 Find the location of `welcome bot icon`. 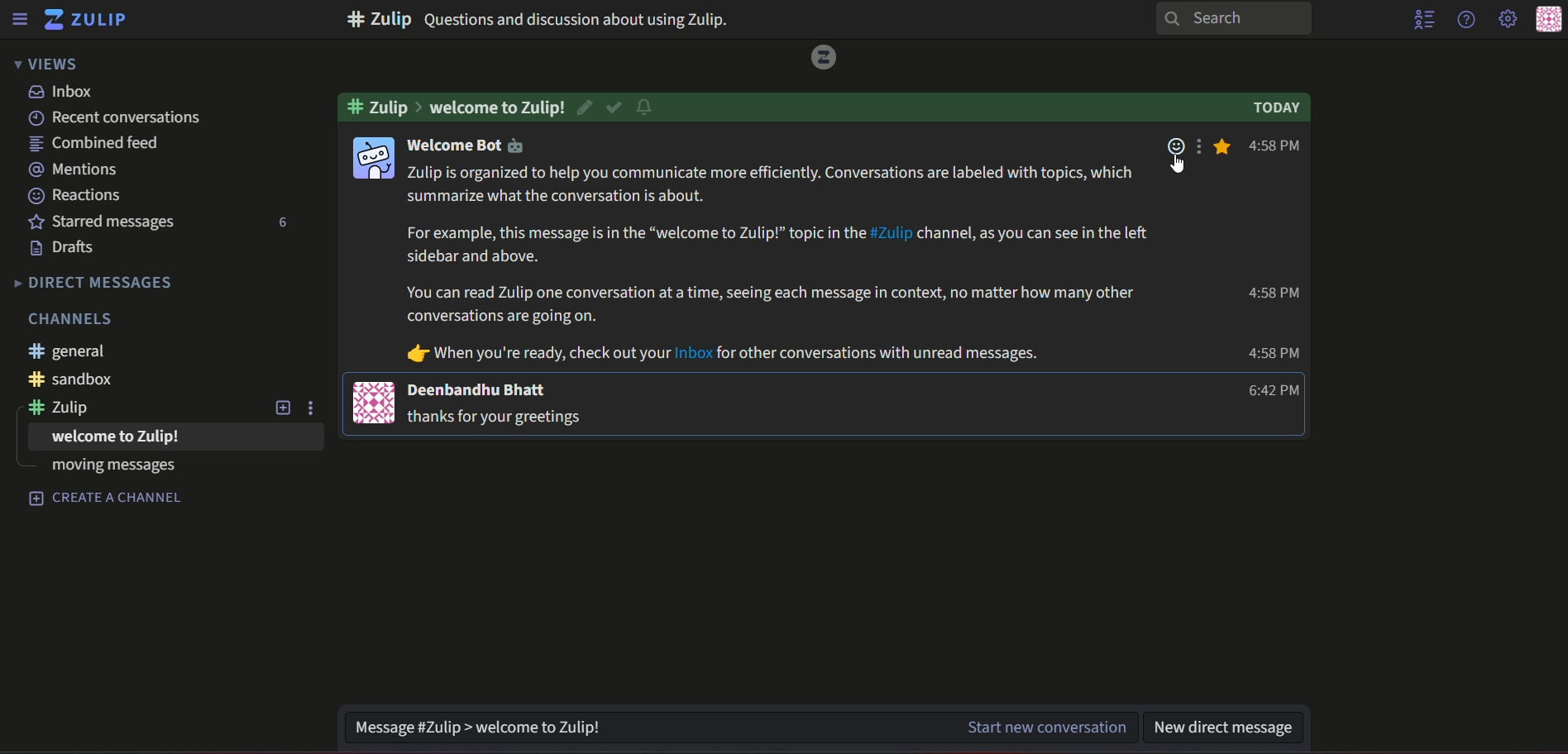

welcome bot icon is located at coordinates (375, 158).